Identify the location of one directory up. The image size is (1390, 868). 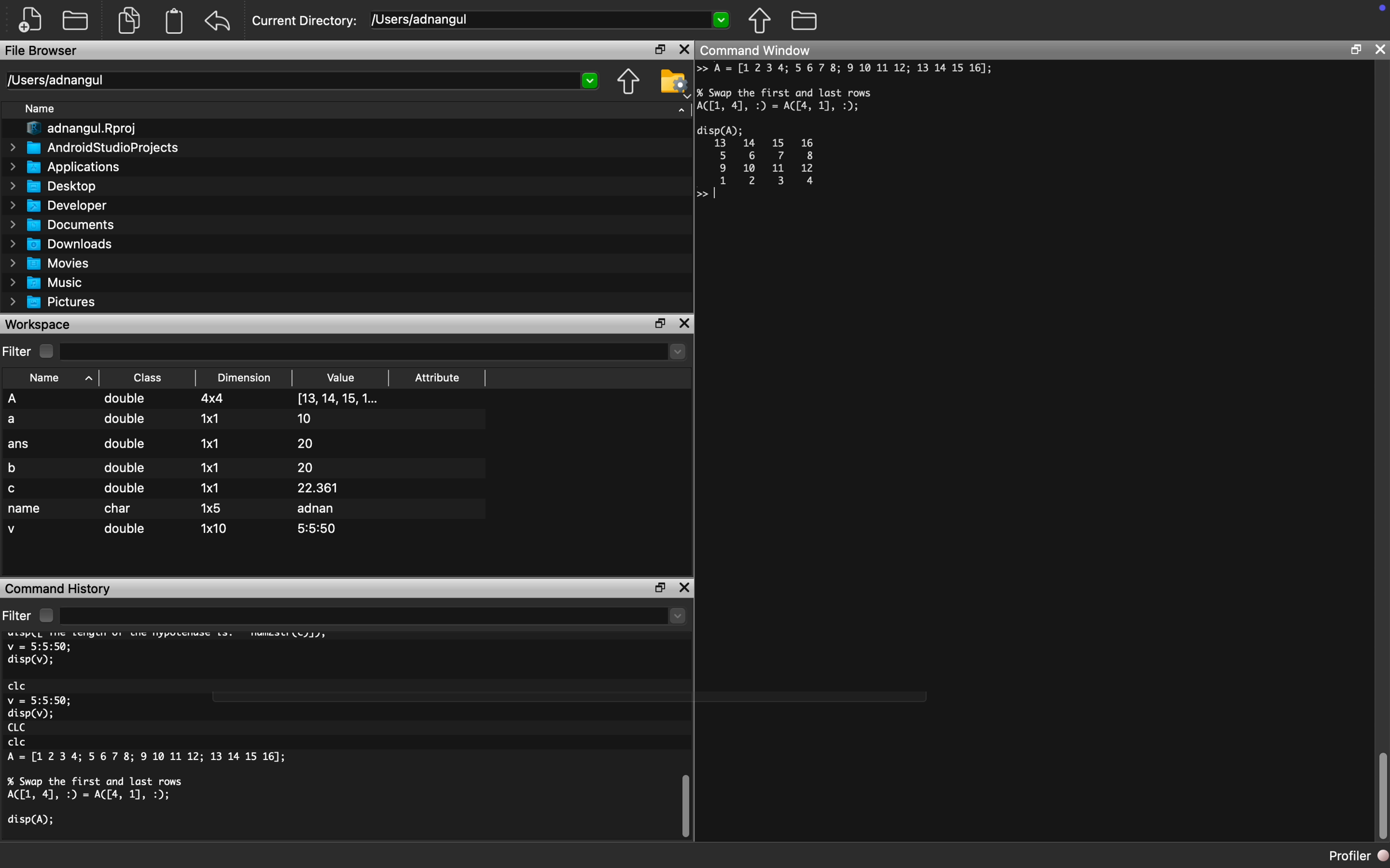
(763, 23).